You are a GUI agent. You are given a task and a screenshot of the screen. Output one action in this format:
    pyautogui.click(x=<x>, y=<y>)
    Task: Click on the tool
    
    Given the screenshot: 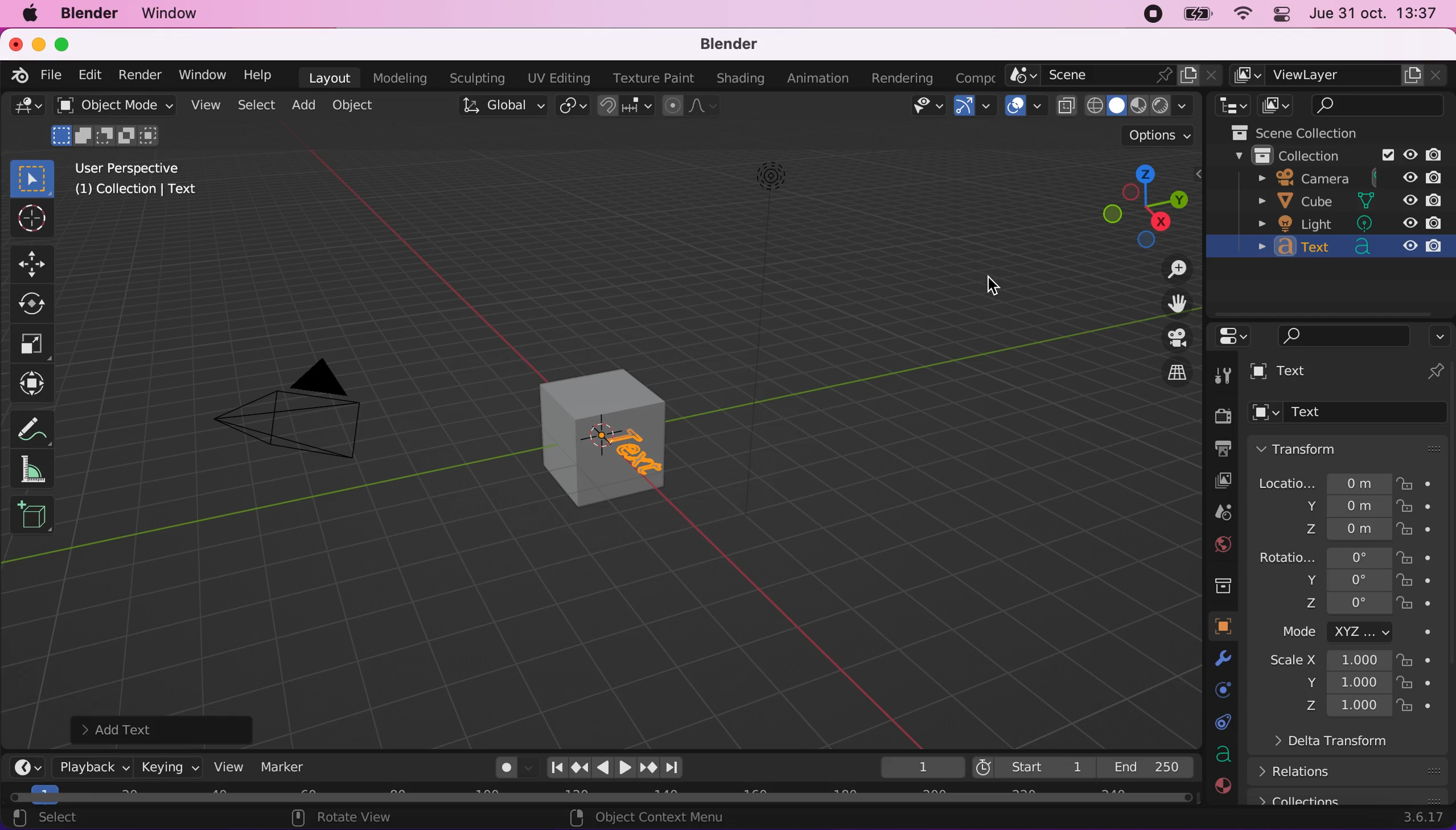 What is the action you would take?
    pyautogui.click(x=1223, y=373)
    